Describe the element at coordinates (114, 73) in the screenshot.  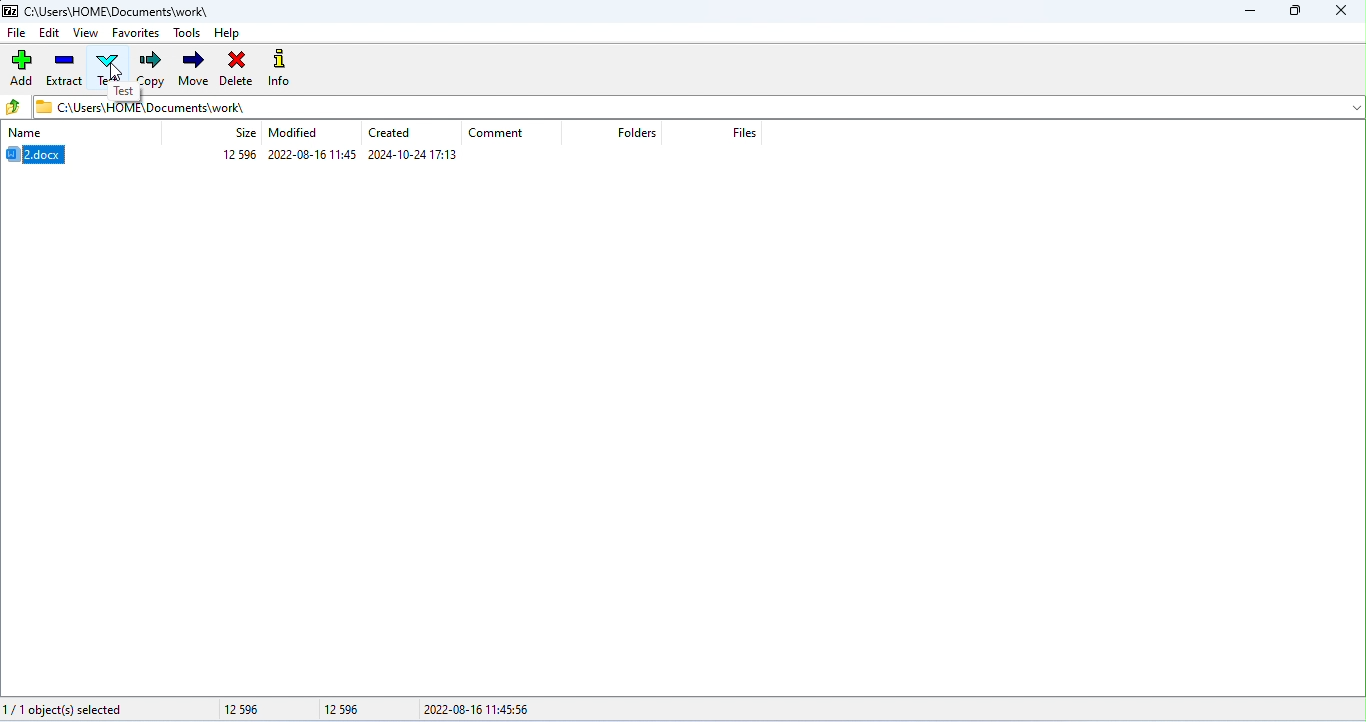
I see `cursor` at that location.